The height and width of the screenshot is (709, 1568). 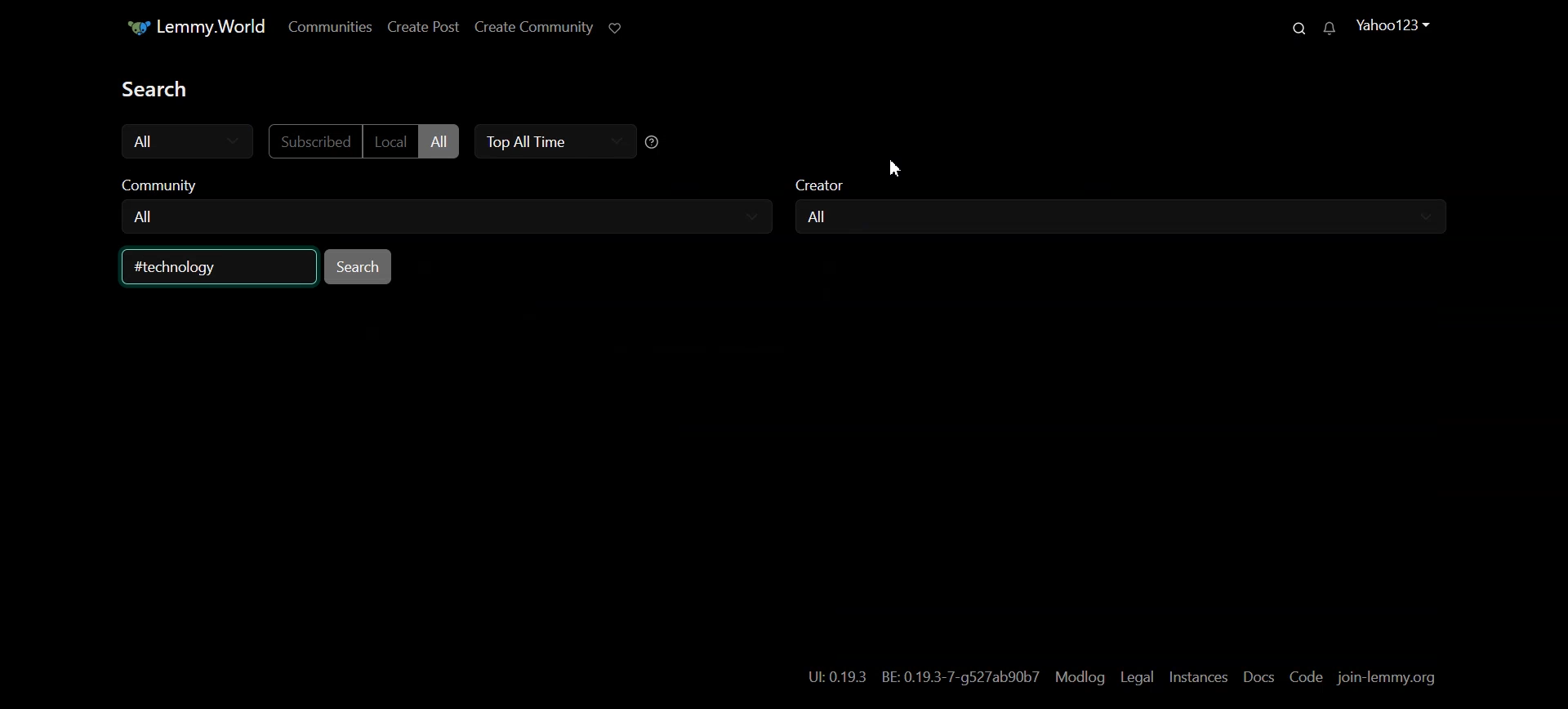 What do you see at coordinates (1125, 189) in the screenshot?
I see `Creator` at bounding box center [1125, 189].